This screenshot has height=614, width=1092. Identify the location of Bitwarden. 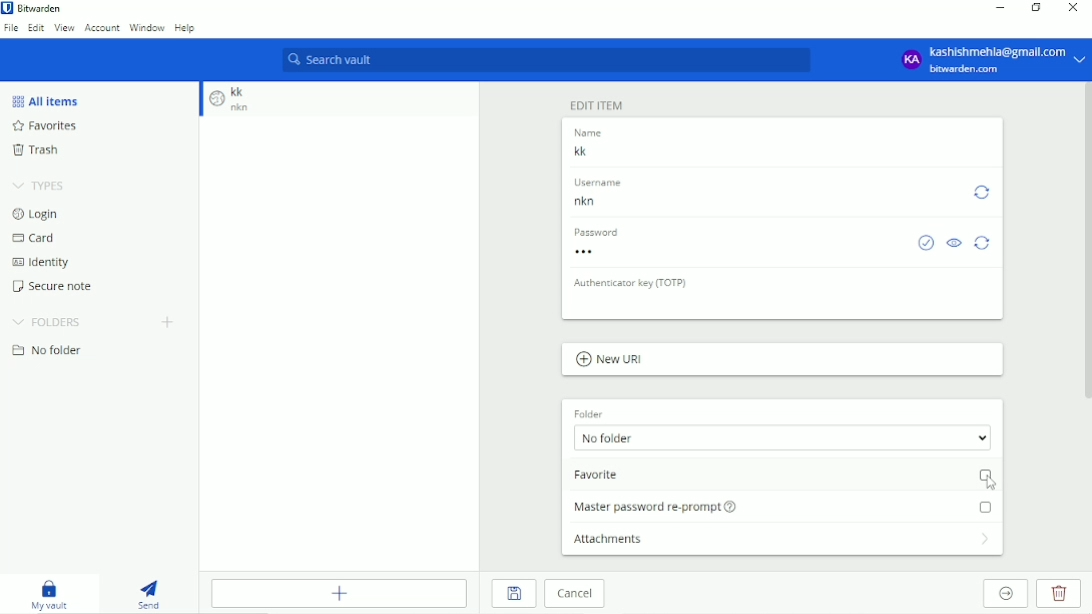
(35, 9).